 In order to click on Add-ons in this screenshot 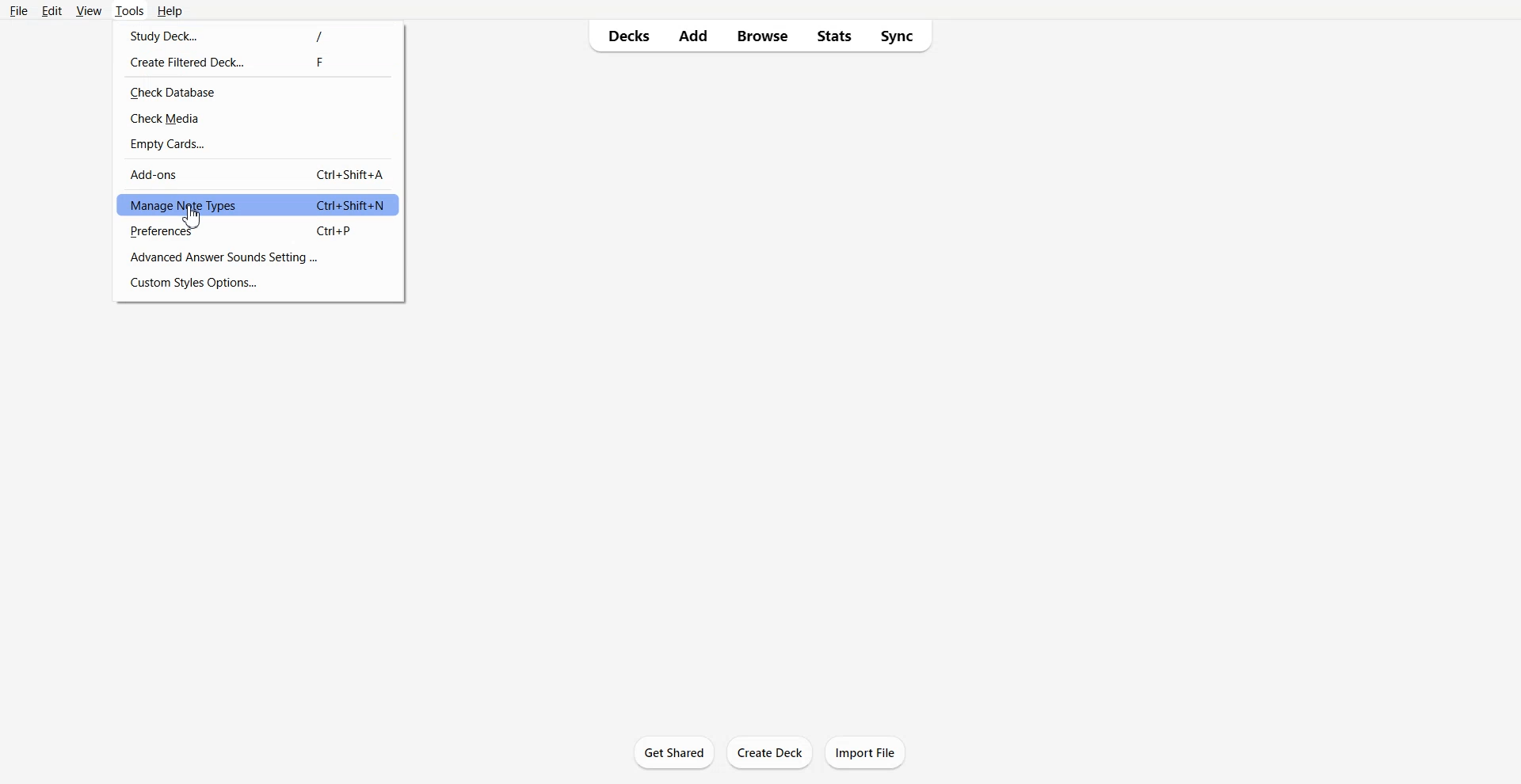, I will do `click(260, 173)`.